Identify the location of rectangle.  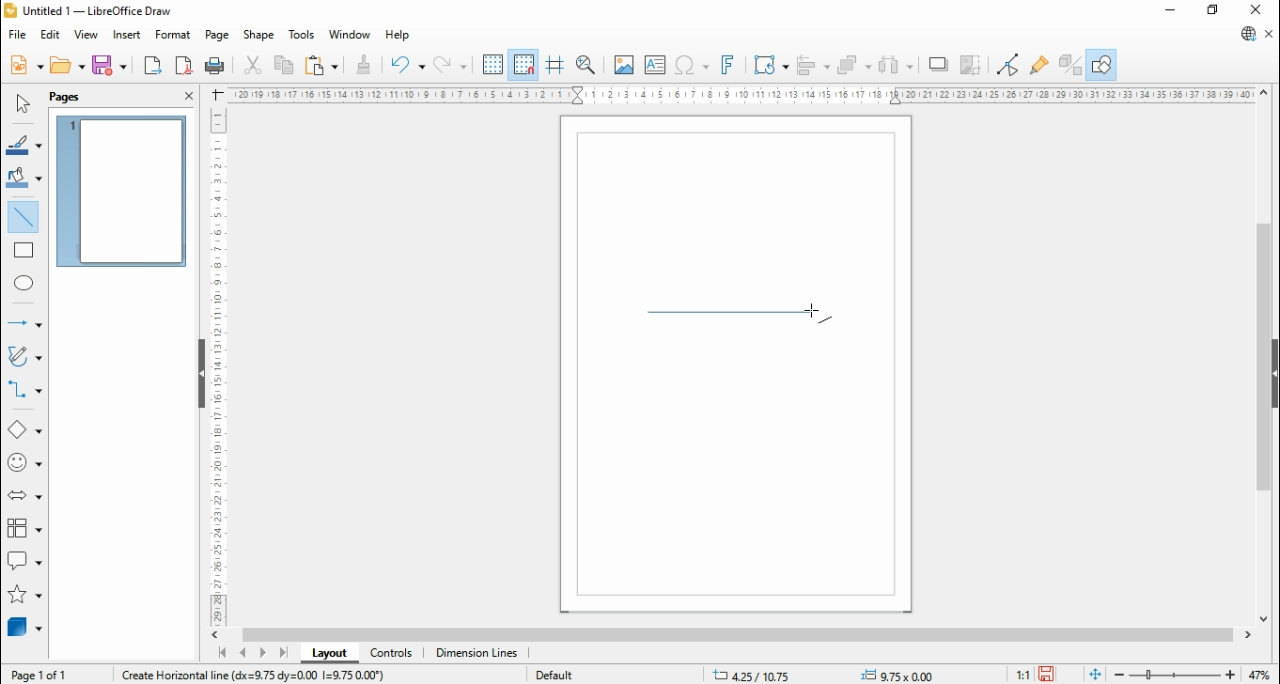
(24, 250).